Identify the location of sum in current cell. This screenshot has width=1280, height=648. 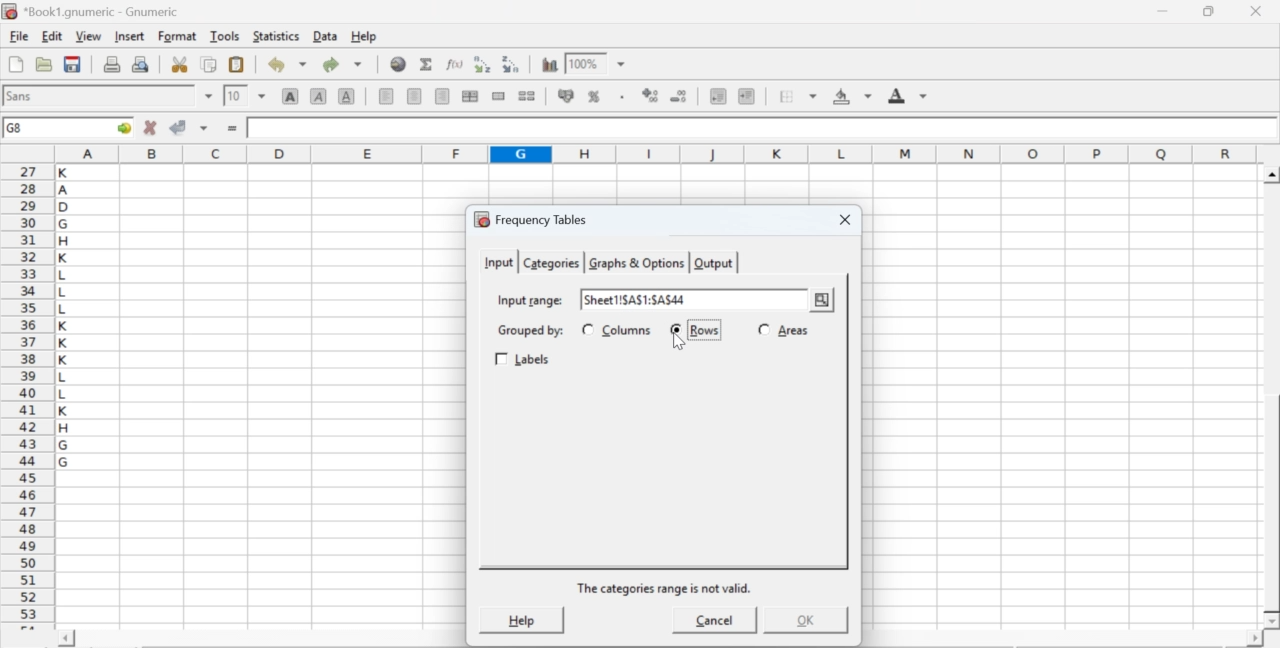
(427, 63).